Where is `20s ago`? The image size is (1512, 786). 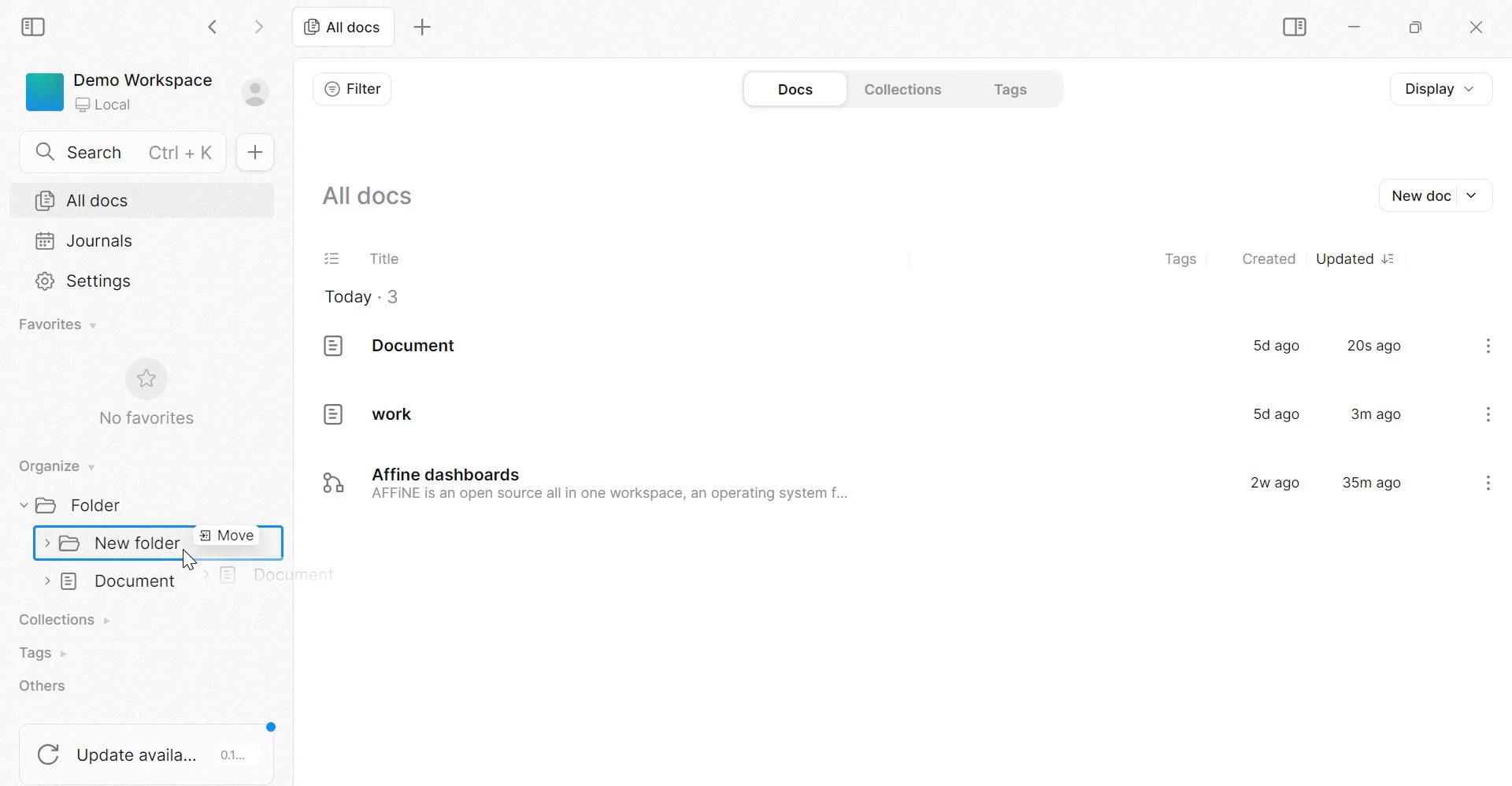
20s ago is located at coordinates (1374, 346).